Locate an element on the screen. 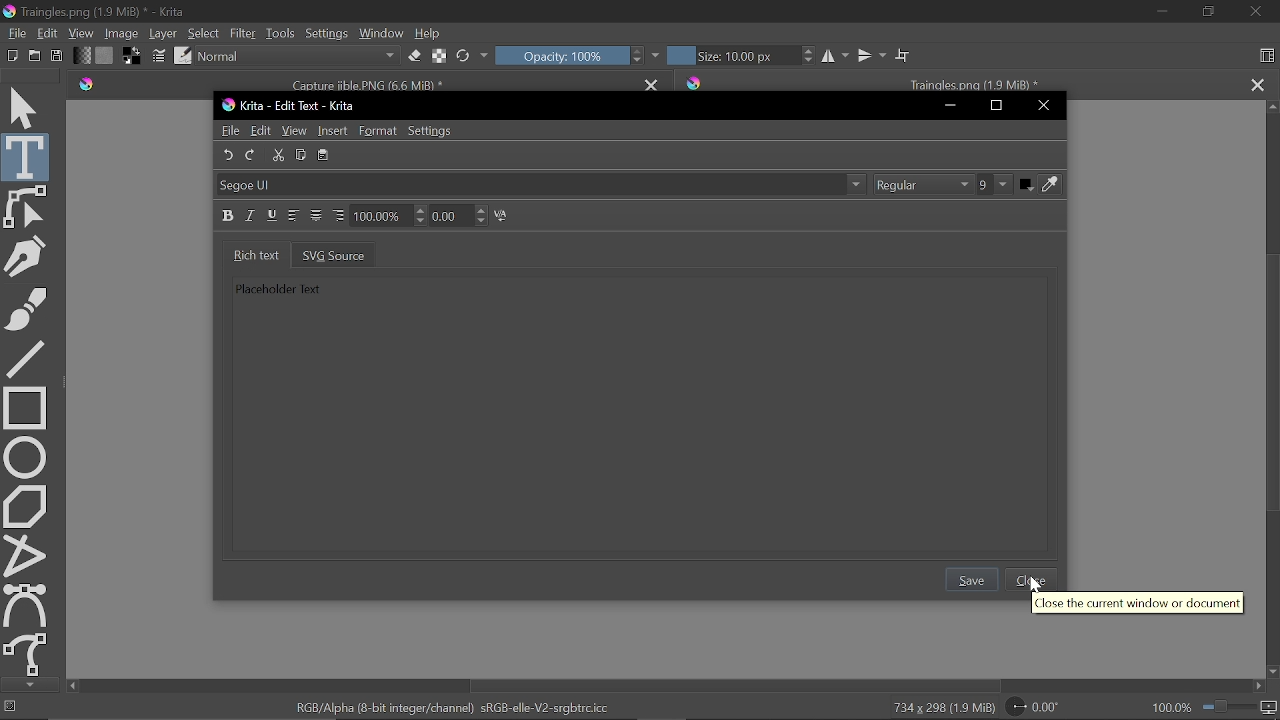  Close current tab is located at coordinates (650, 83).